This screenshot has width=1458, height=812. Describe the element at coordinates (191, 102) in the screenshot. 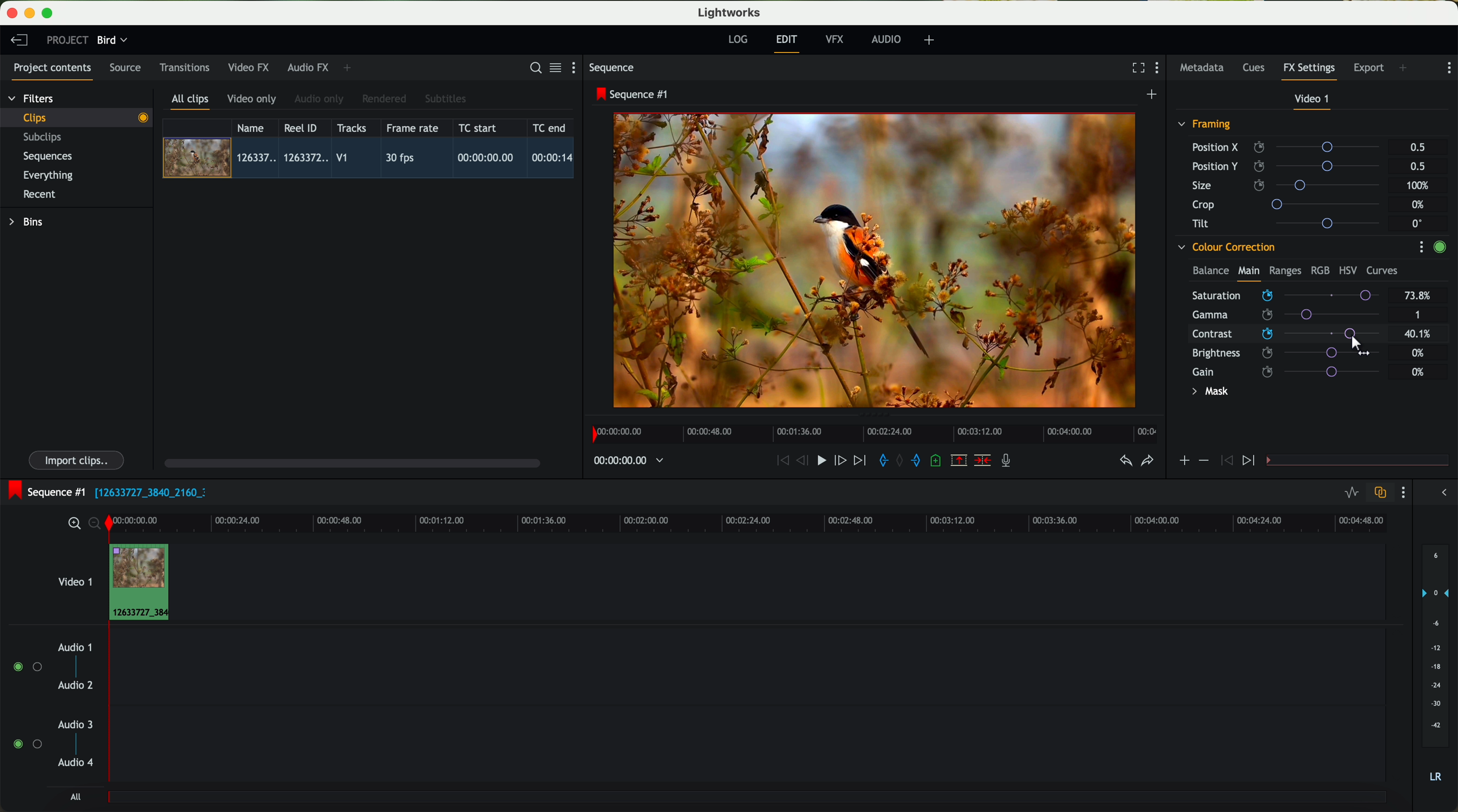

I see `all clips` at that location.